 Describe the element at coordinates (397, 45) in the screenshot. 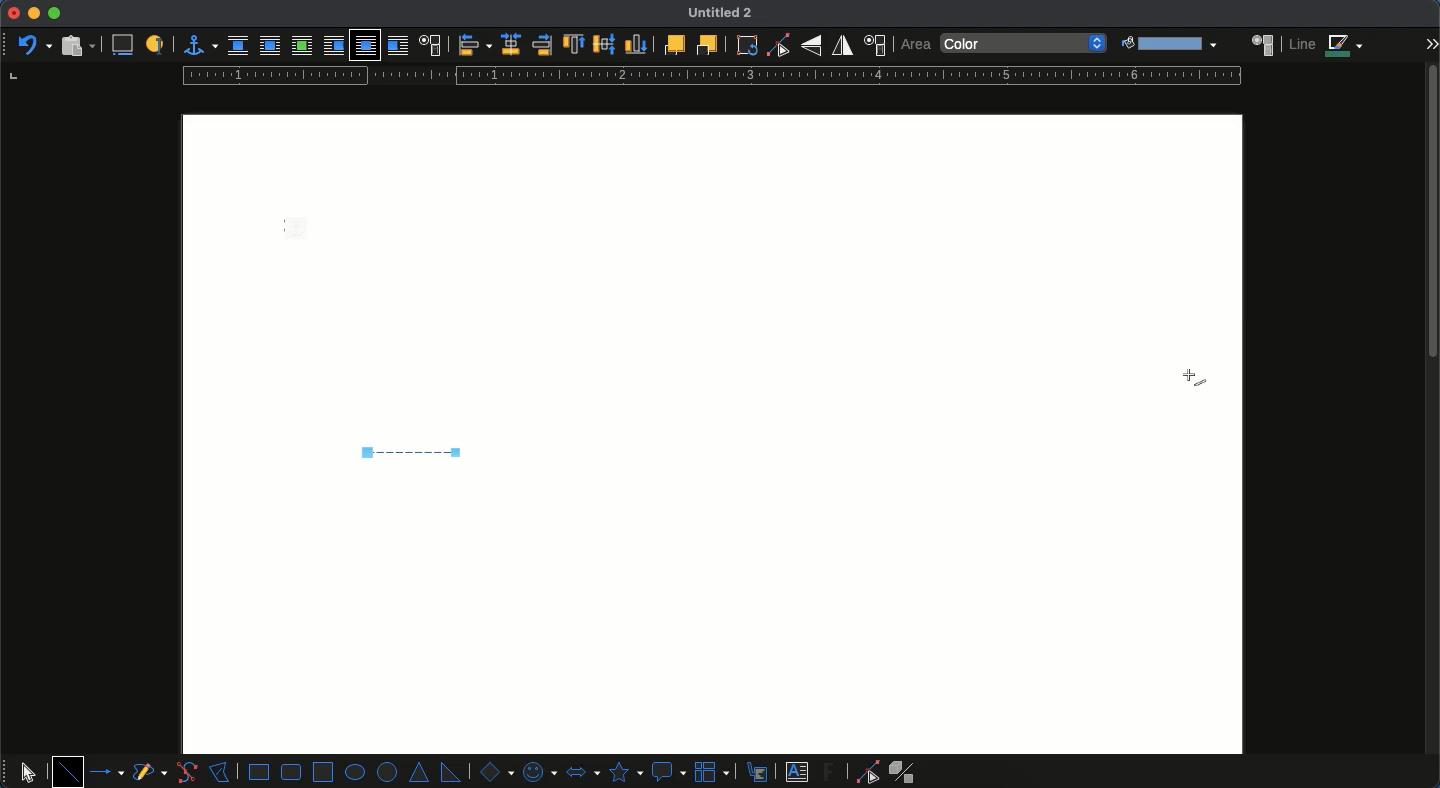

I see `after` at that location.